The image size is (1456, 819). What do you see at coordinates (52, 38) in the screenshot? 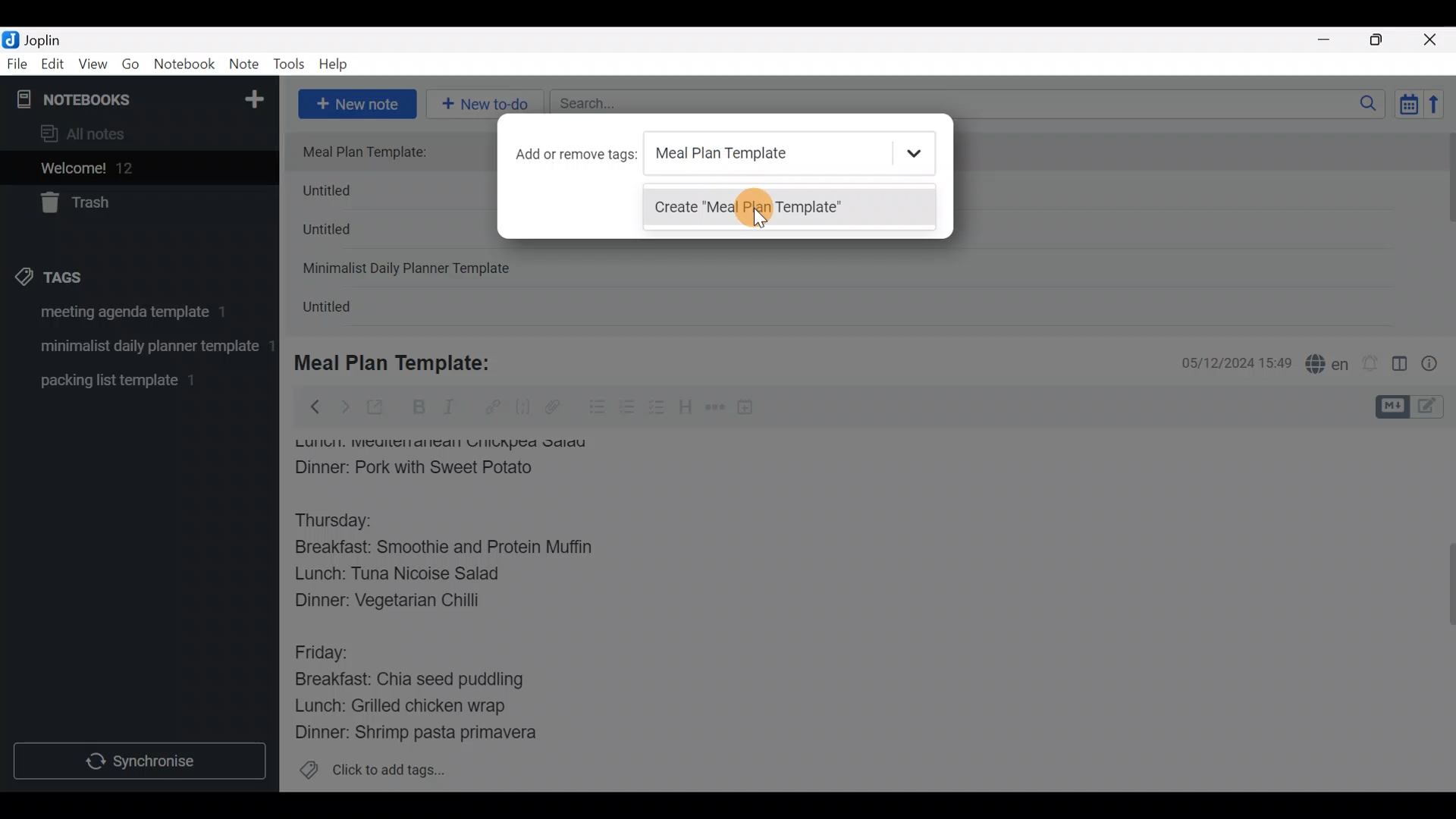
I see `Joplin` at bounding box center [52, 38].